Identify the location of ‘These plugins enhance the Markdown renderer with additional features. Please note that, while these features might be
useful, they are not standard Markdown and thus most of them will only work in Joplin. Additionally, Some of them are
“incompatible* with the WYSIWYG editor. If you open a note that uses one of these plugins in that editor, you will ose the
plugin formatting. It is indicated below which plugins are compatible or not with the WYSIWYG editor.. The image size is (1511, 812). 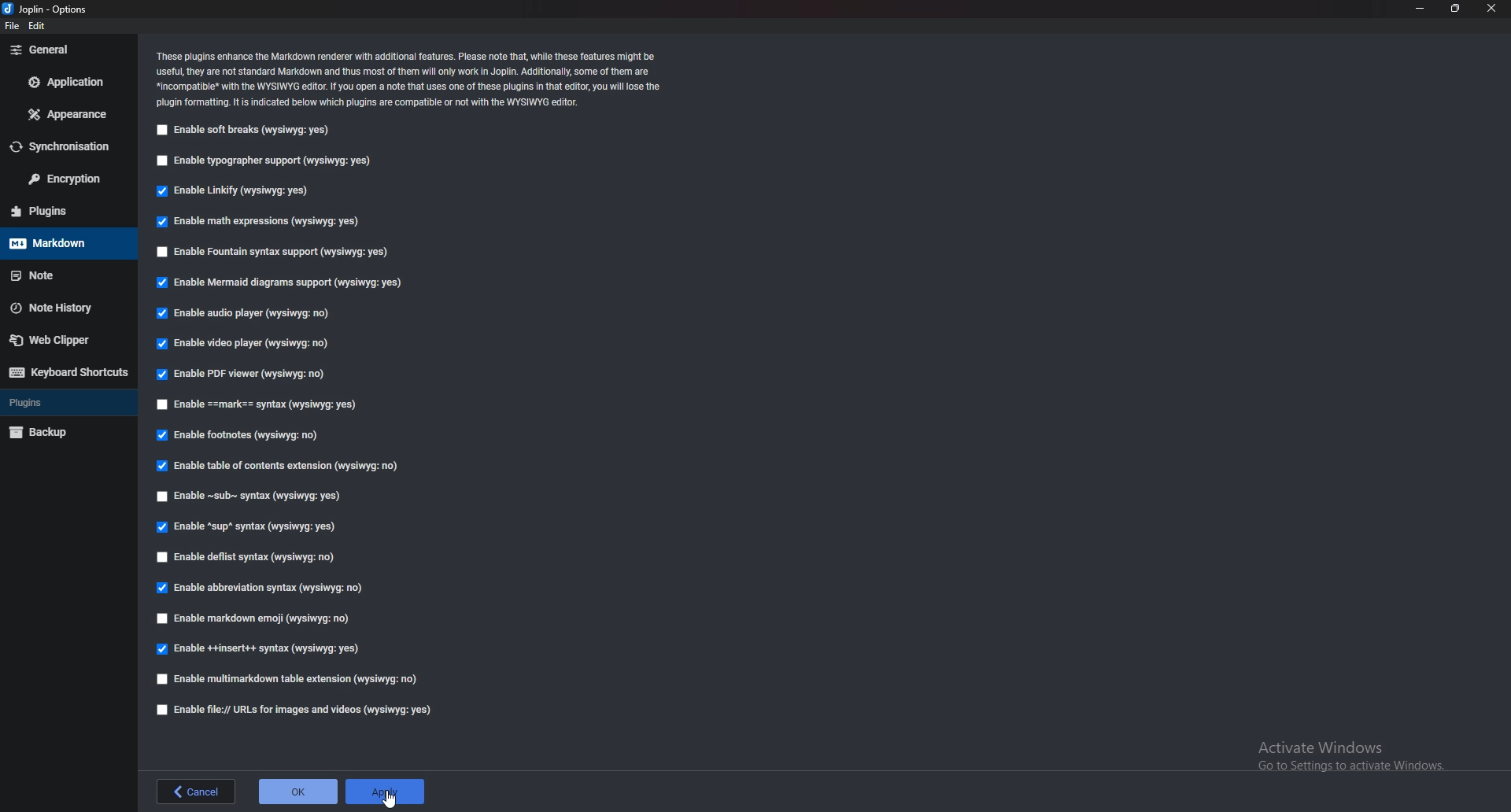
(408, 79).